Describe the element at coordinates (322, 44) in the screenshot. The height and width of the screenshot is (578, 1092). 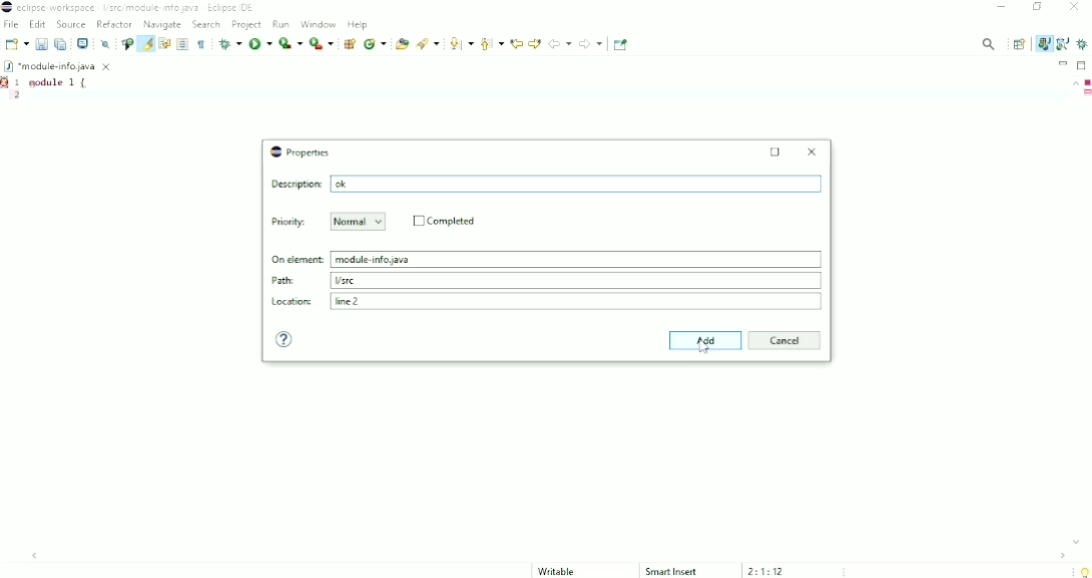
I see `Run last tool` at that location.